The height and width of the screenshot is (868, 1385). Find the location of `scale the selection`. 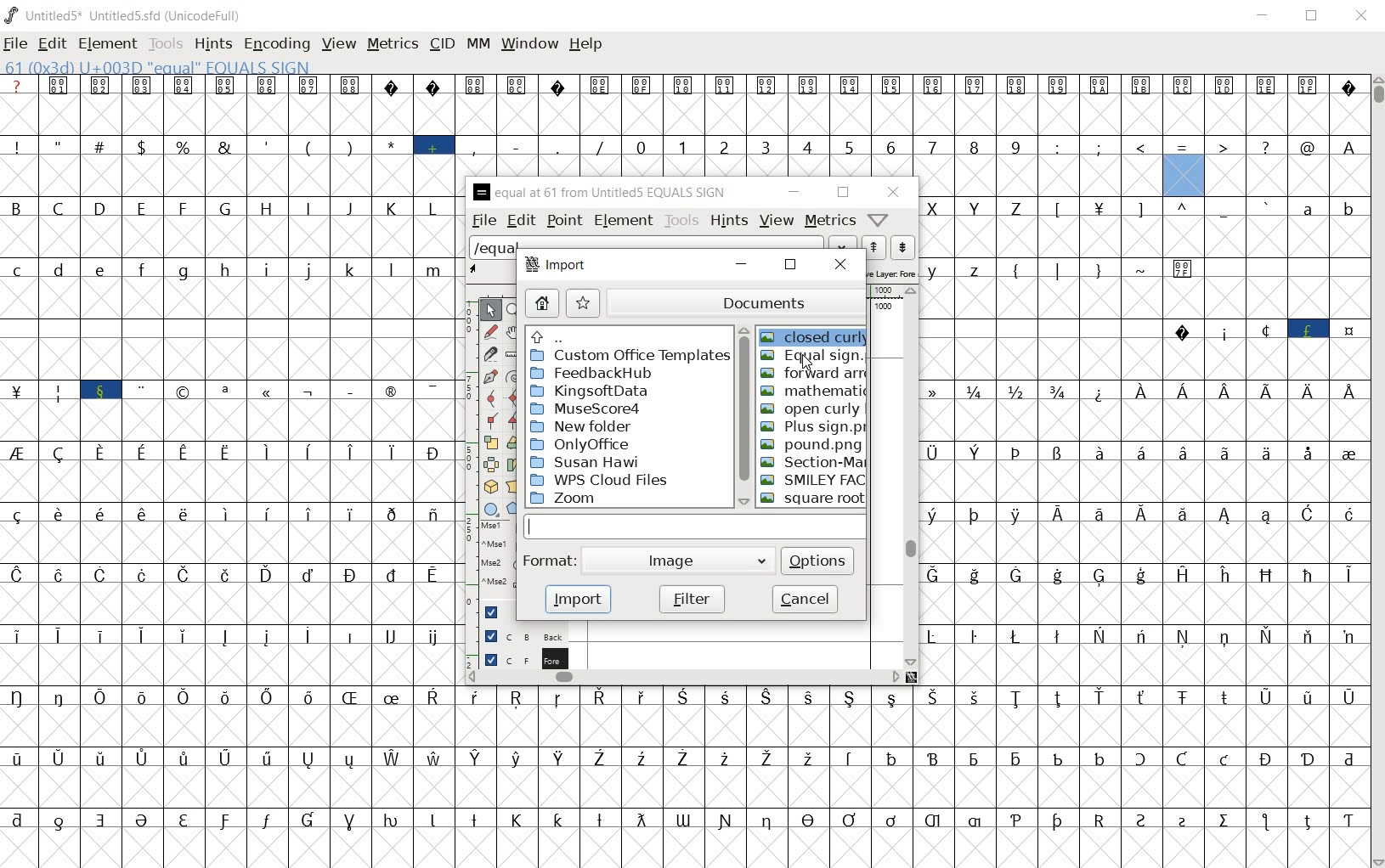

scale the selection is located at coordinates (490, 442).